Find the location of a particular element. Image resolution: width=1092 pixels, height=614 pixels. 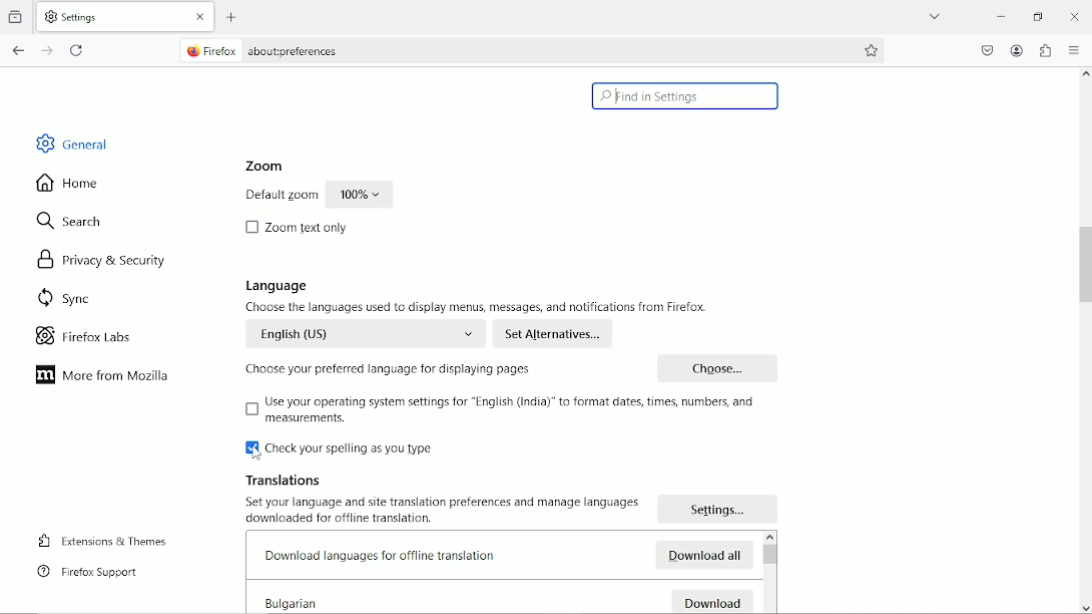

More from mozilla is located at coordinates (105, 374).